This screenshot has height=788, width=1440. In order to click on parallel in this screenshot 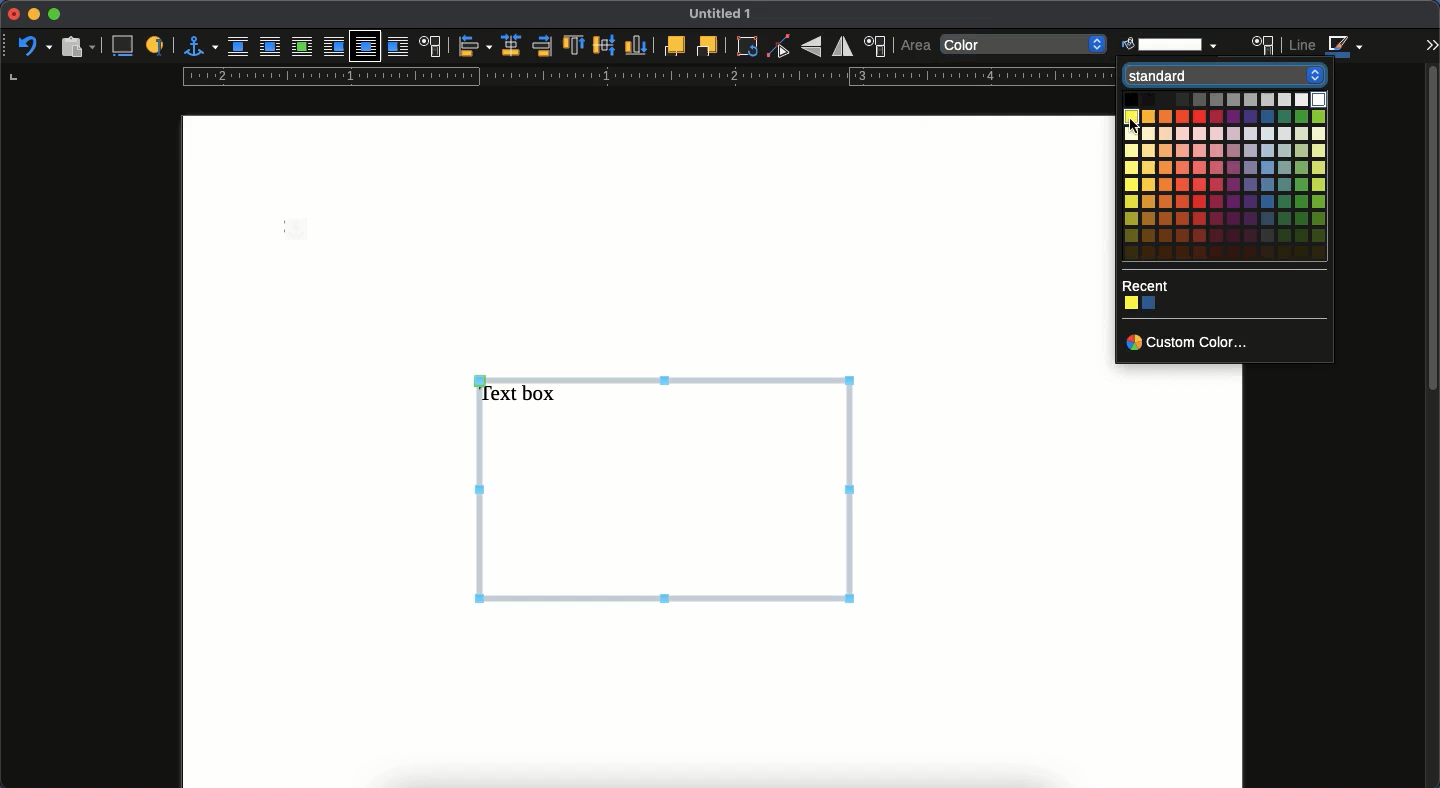, I will do `click(269, 49)`.